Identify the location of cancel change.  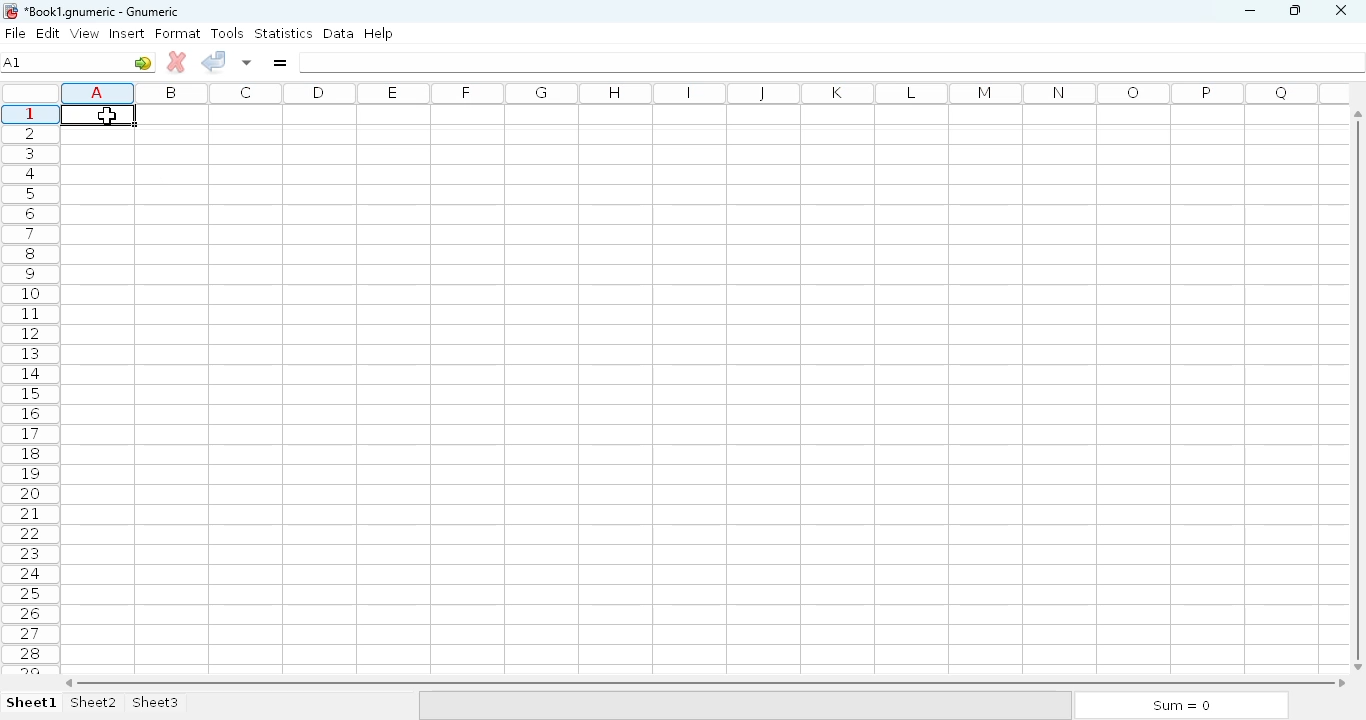
(177, 62).